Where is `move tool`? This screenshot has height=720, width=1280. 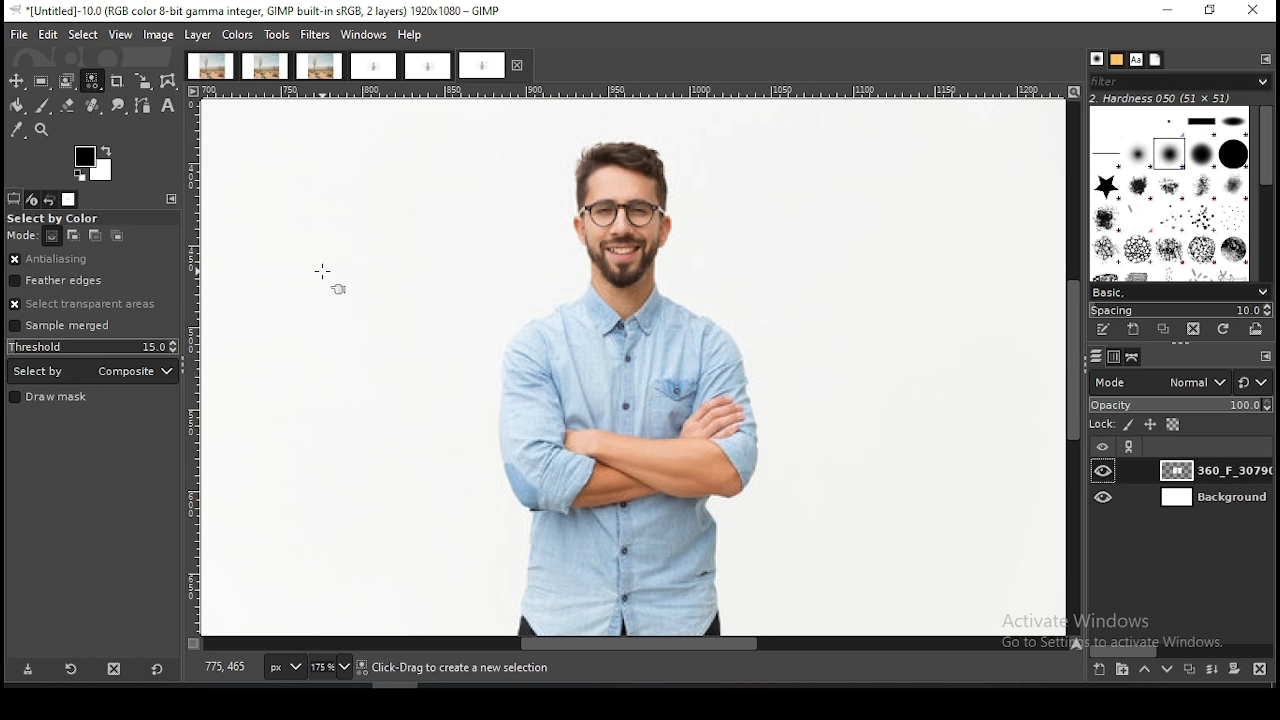 move tool is located at coordinates (16, 81).